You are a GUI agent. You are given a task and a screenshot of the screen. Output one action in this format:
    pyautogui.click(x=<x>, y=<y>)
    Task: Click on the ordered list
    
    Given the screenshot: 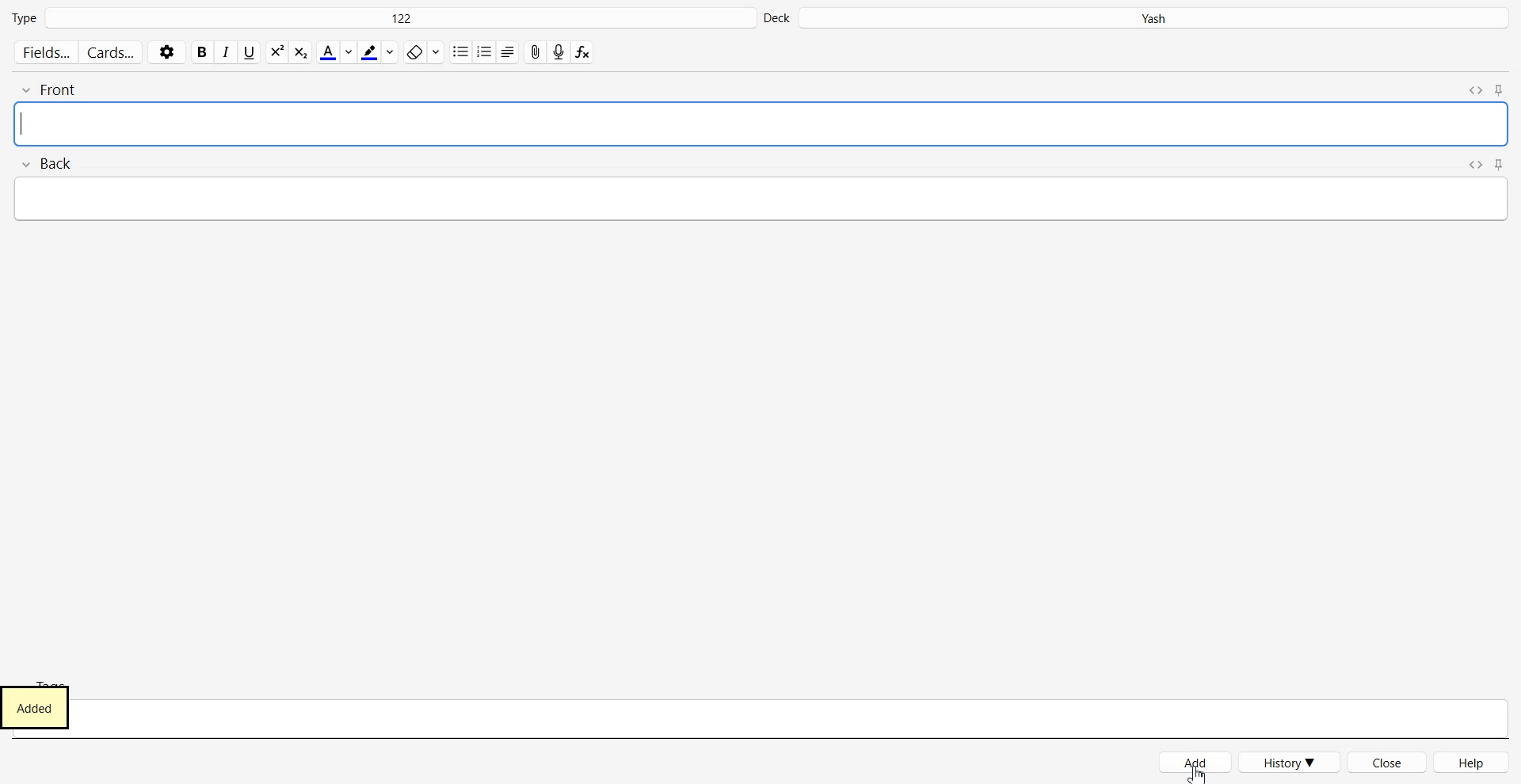 What is the action you would take?
    pyautogui.click(x=484, y=51)
    